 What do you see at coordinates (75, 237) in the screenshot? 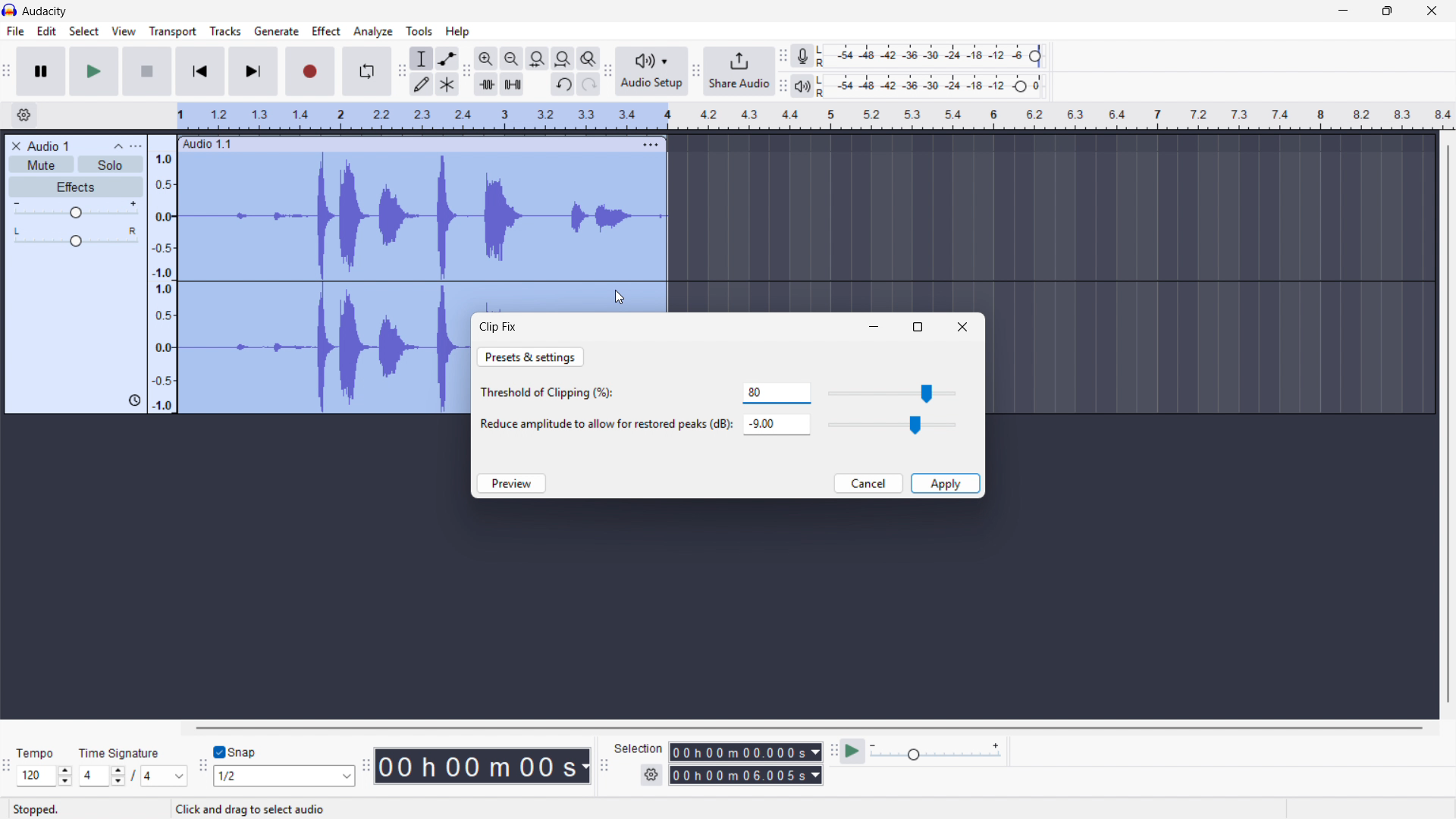
I see `pan` at bounding box center [75, 237].